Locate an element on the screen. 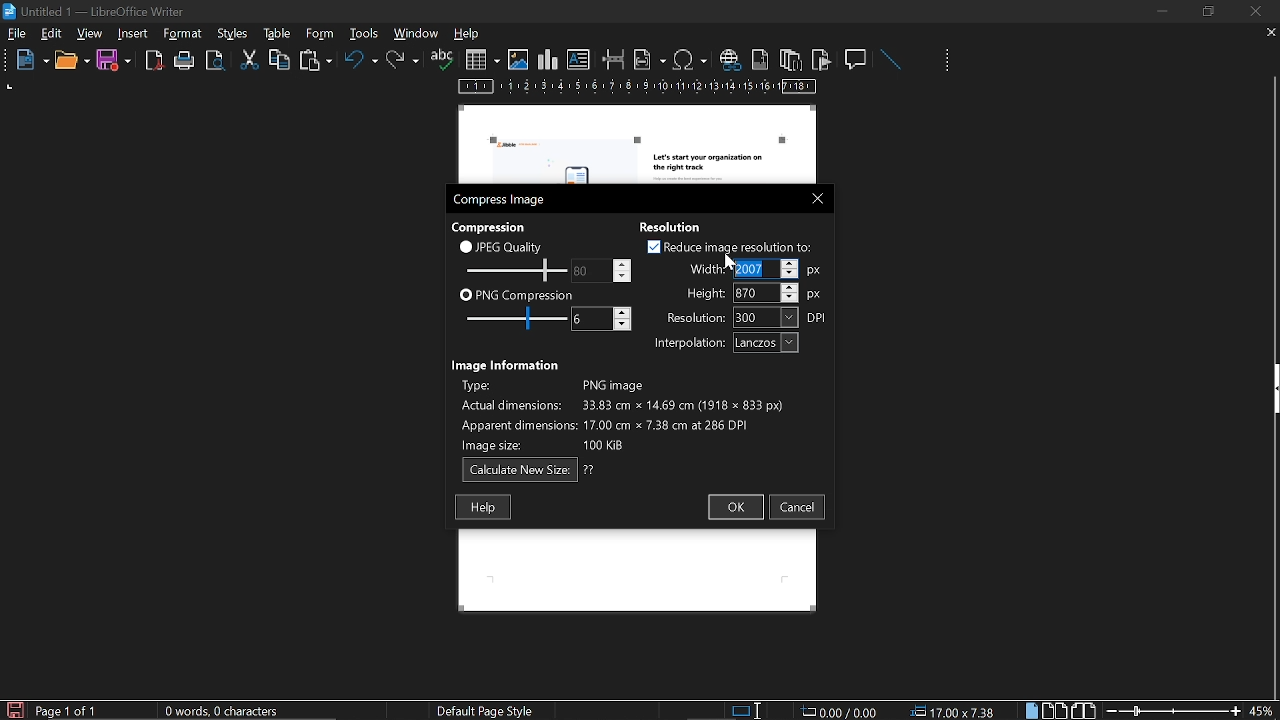 The width and height of the screenshot is (1280, 720). page style is located at coordinates (489, 710).